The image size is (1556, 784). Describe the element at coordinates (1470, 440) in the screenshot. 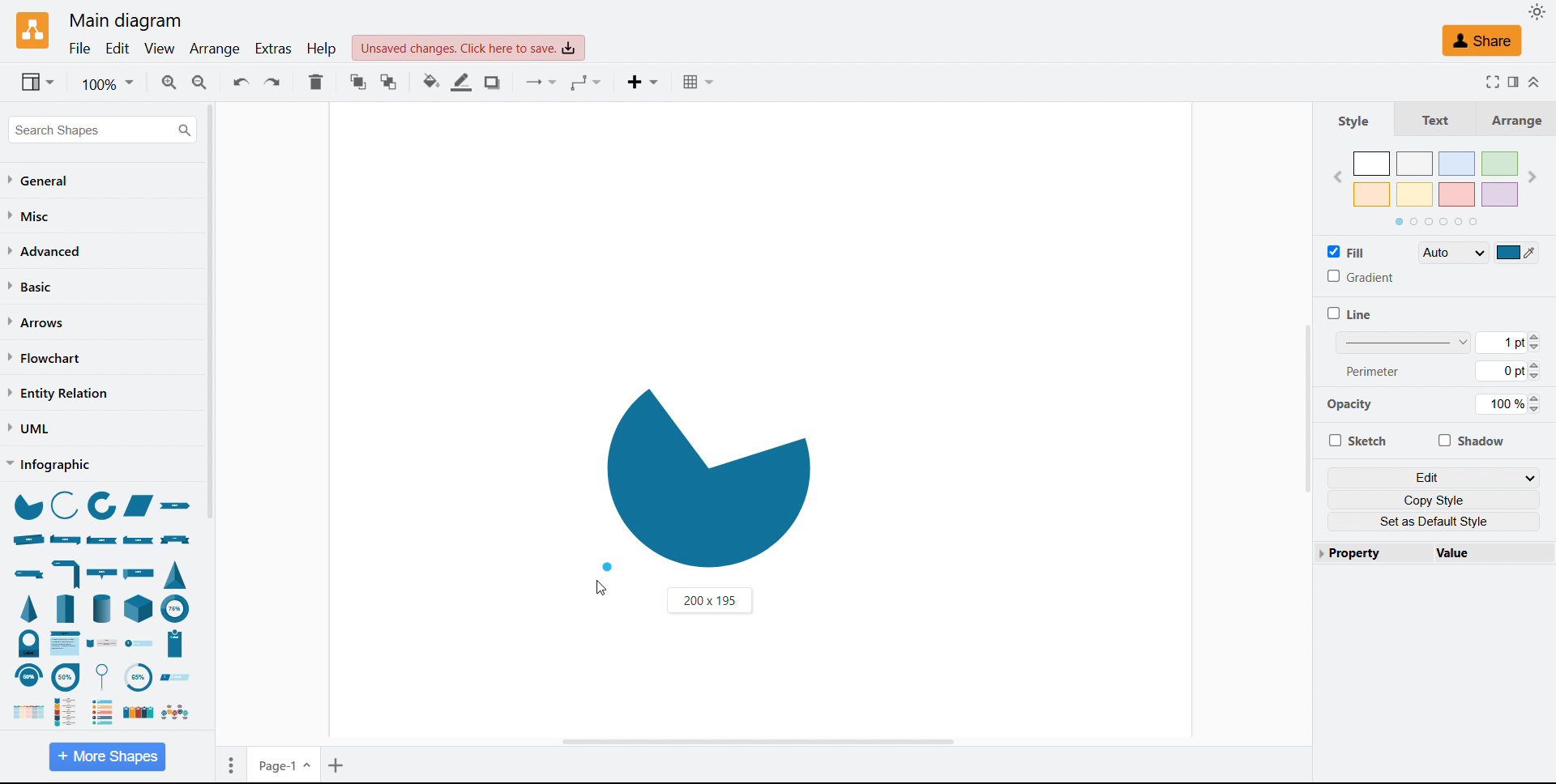

I see `Shadow ` at that location.